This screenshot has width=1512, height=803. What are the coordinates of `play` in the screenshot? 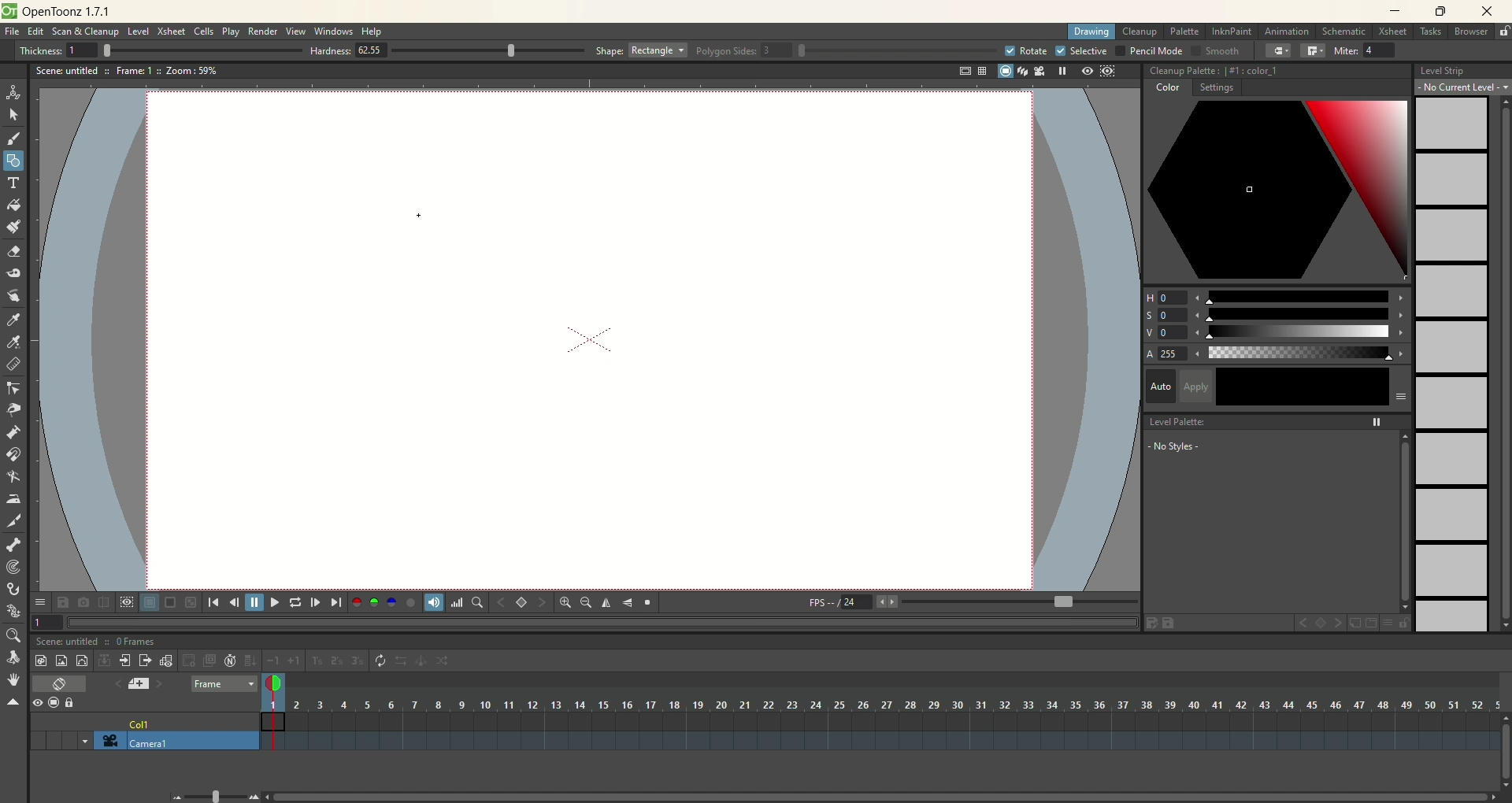 It's located at (272, 602).